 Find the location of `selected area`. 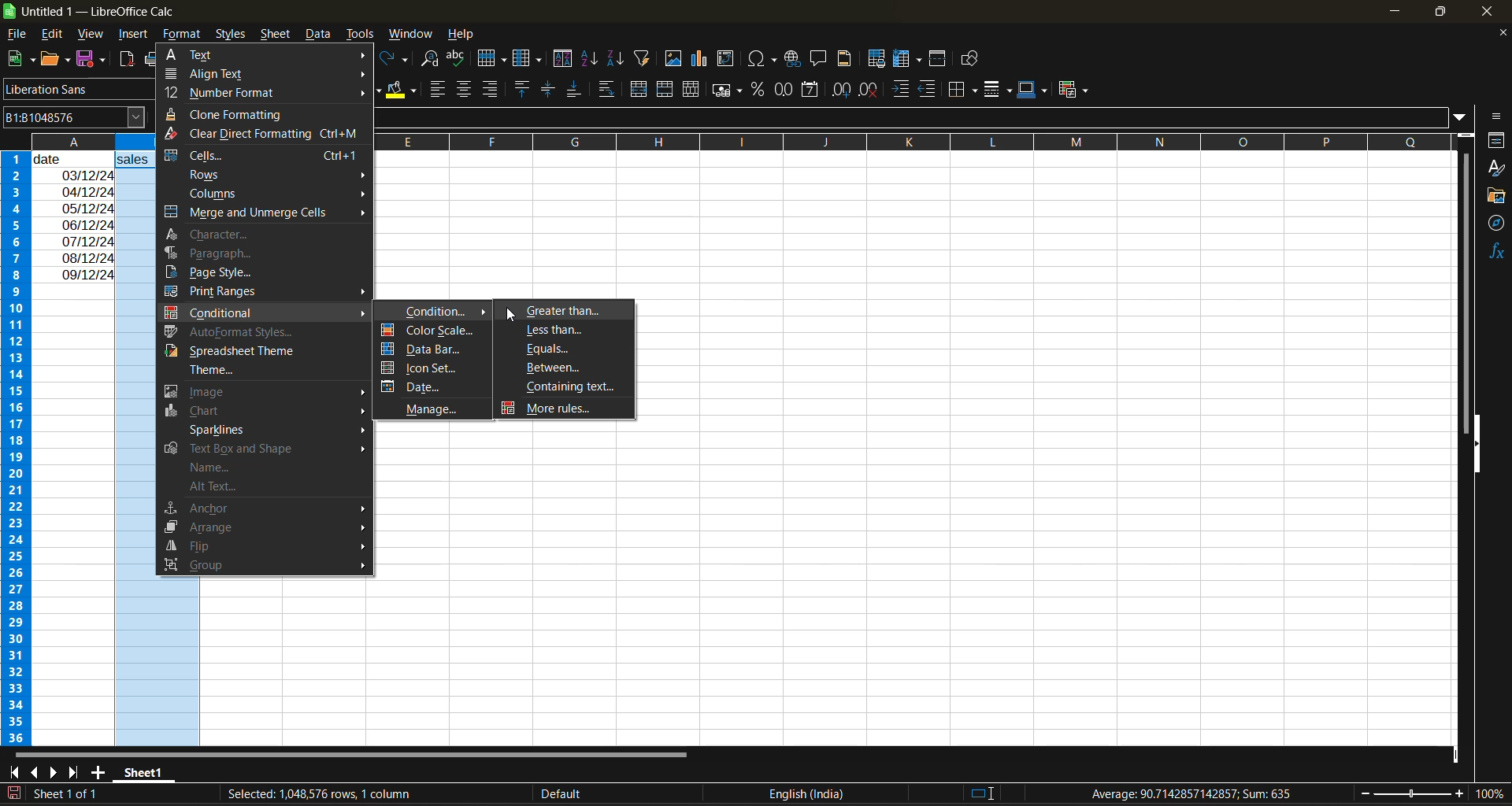

selected area is located at coordinates (317, 794).